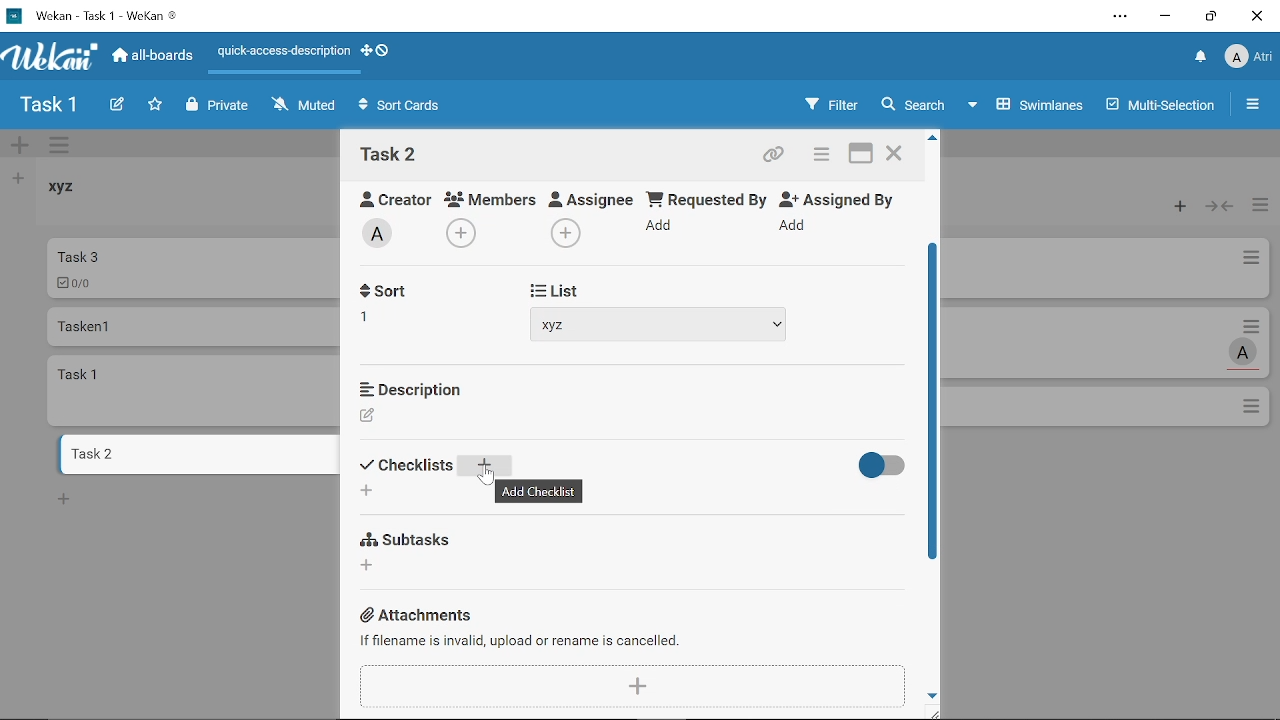 This screenshot has height=720, width=1280. I want to click on Add Checklist, so click(548, 490).